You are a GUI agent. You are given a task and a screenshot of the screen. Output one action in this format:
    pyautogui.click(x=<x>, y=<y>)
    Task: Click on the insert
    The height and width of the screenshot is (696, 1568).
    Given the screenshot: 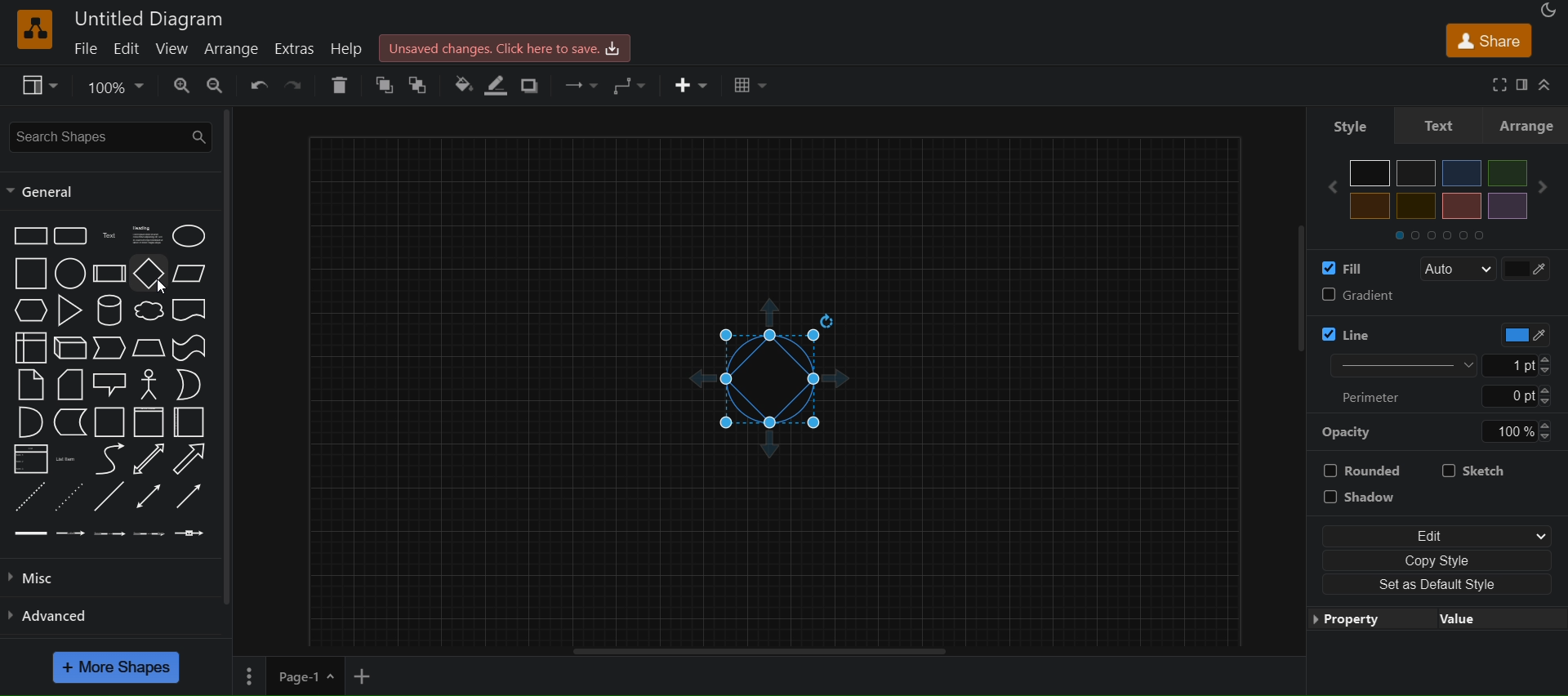 What is the action you would take?
    pyautogui.click(x=692, y=86)
    